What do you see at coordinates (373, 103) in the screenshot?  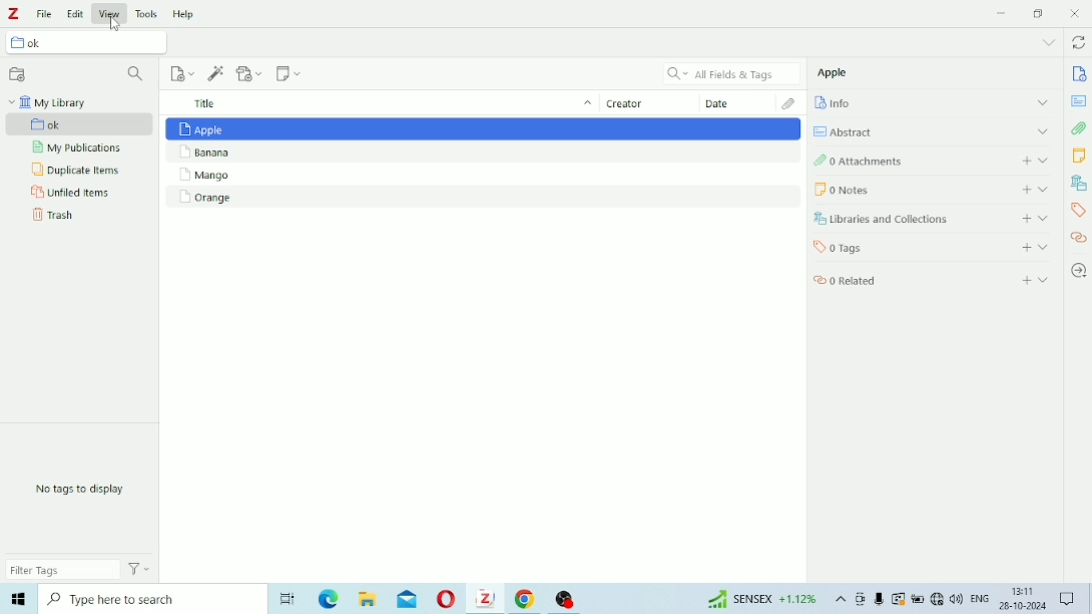 I see `Title` at bounding box center [373, 103].